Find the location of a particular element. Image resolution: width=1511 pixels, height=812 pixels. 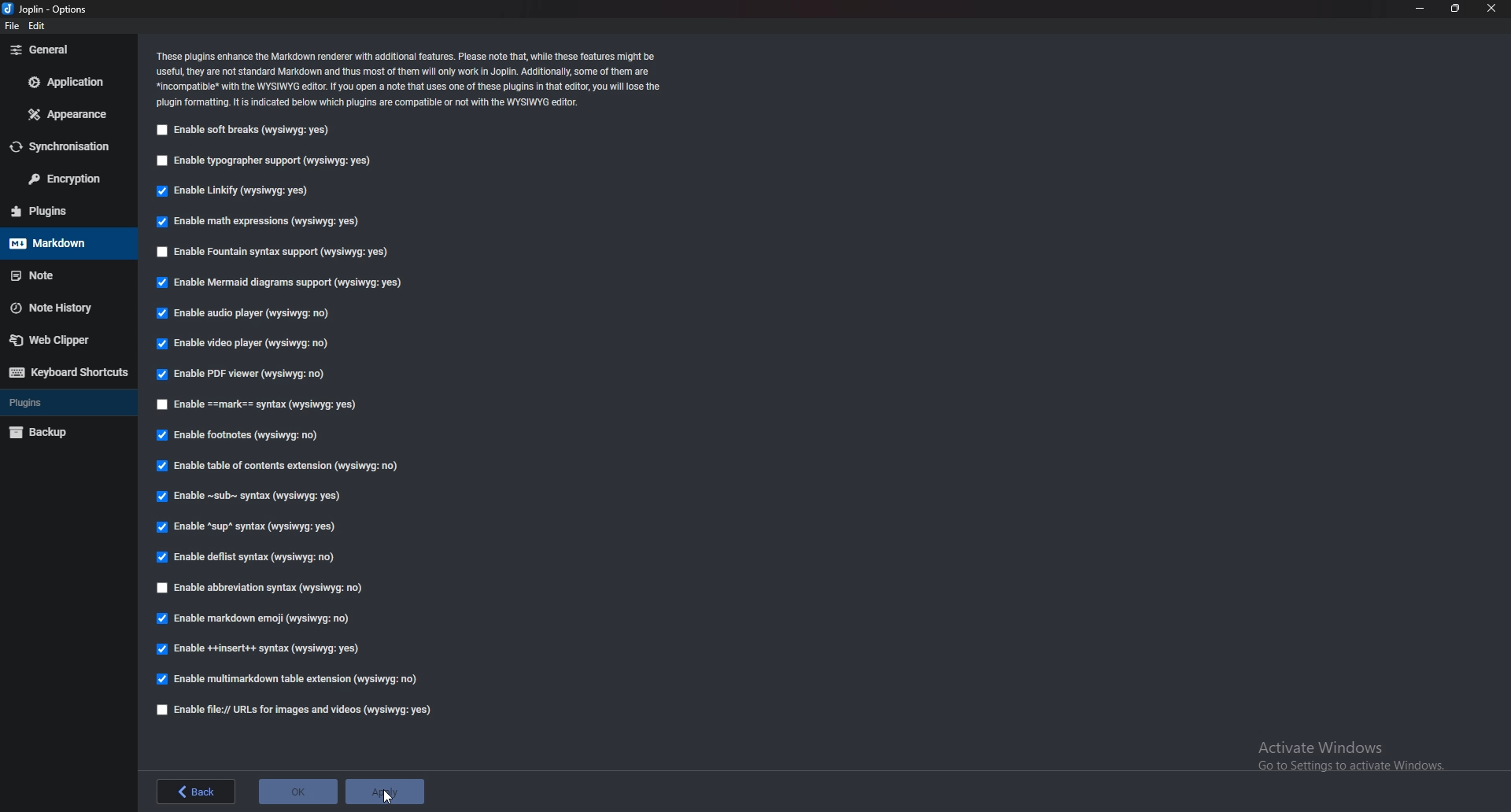

Webclipper is located at coordinates (70, 339).